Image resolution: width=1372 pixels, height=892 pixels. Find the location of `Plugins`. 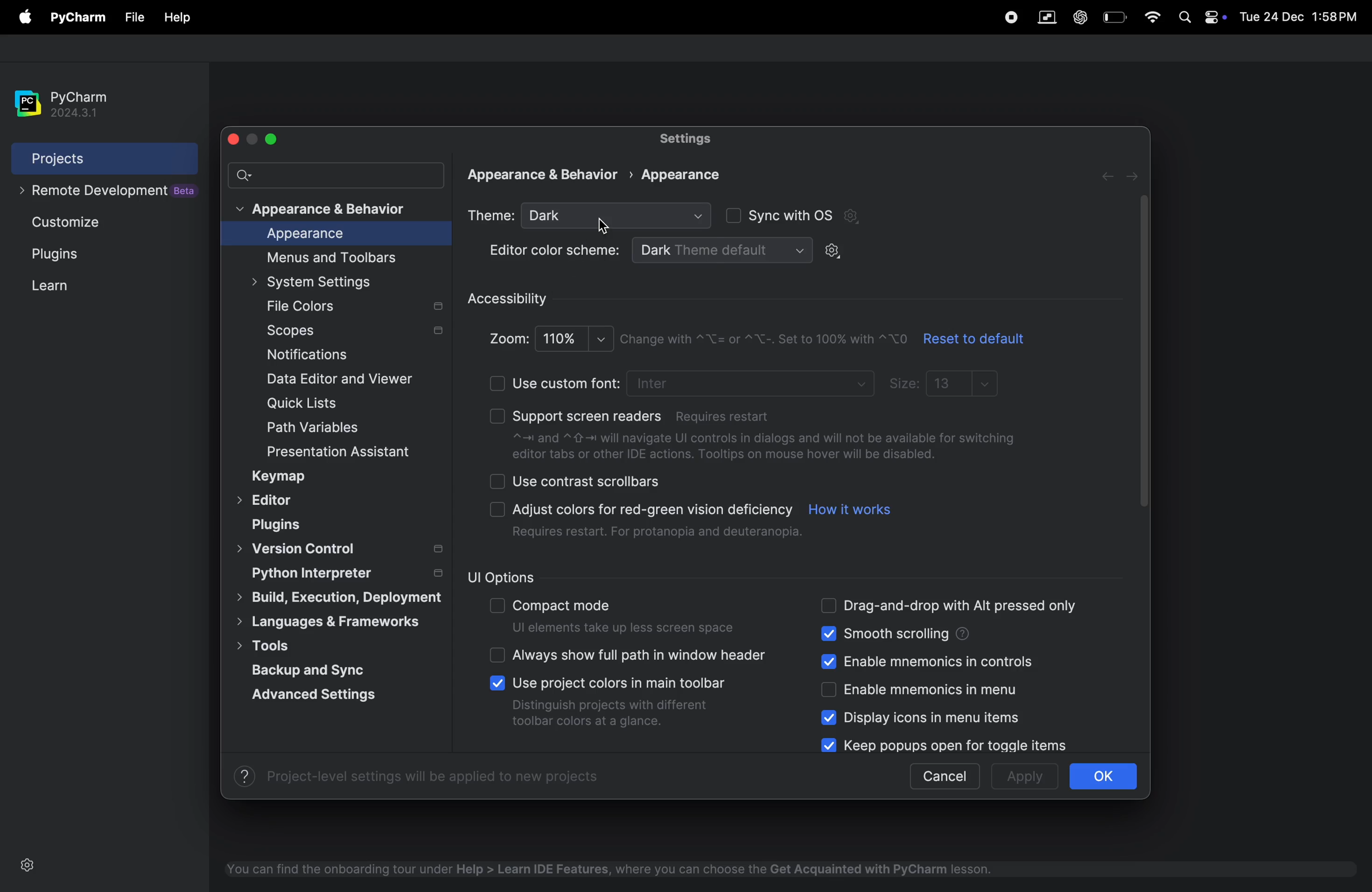

Plugins is located at coordinates (59, 258).